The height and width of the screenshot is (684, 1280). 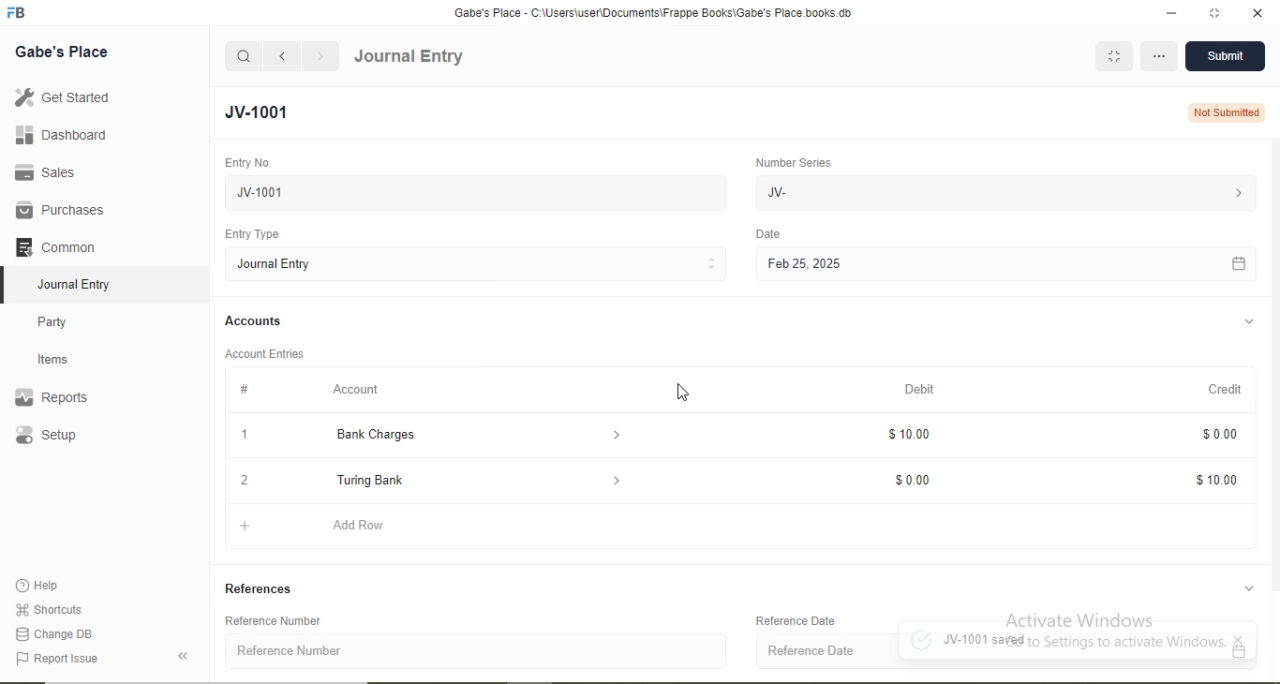 What do you see at coordinates (60, 210) in the screenshot?
I see `Purchases` at bounding box center [60, 210].